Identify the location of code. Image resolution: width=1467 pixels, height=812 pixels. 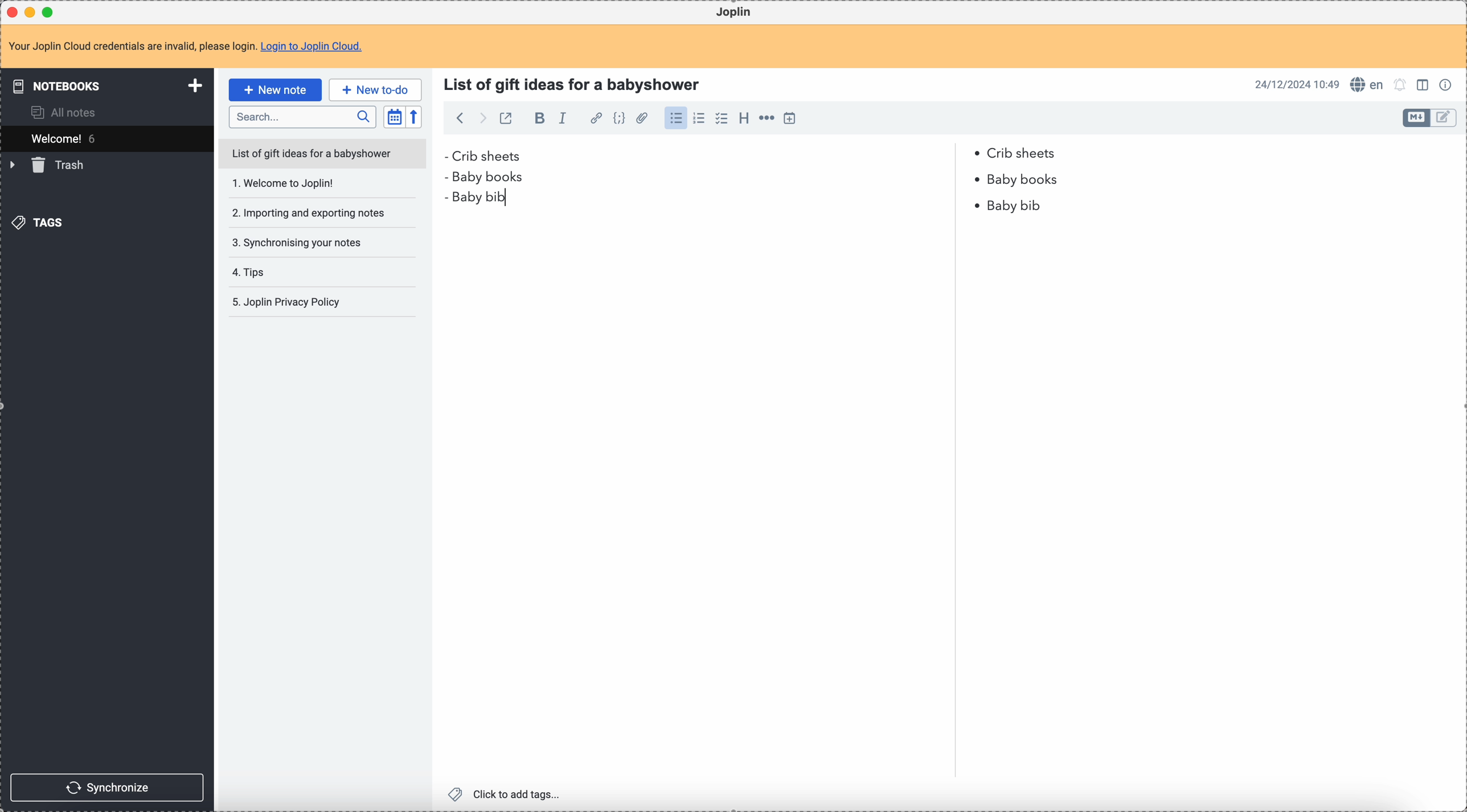
(621, 119).